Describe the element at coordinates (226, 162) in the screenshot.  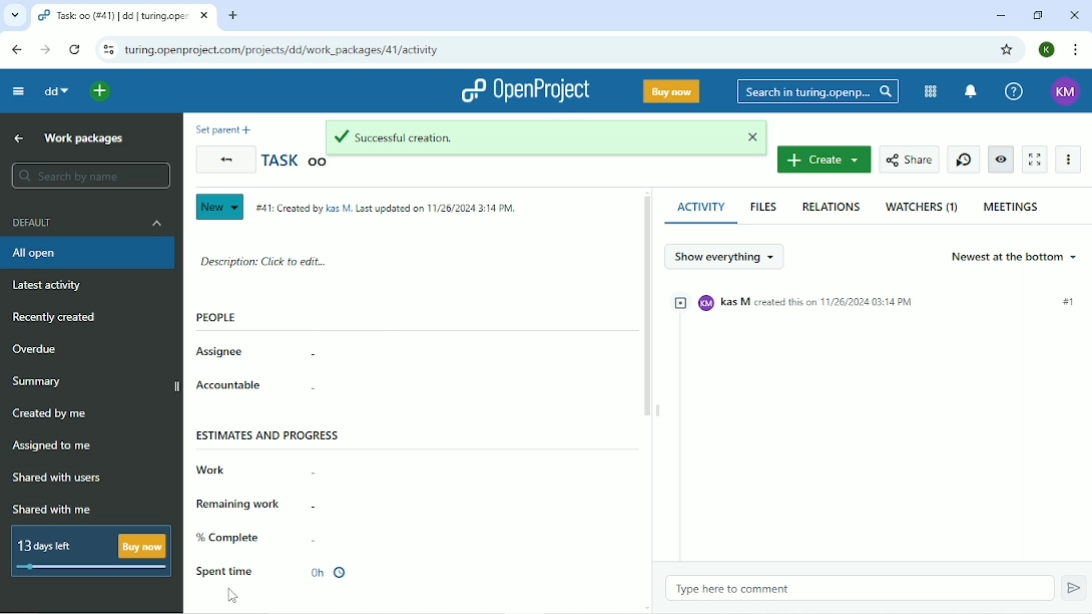
I see `Back` at that location.